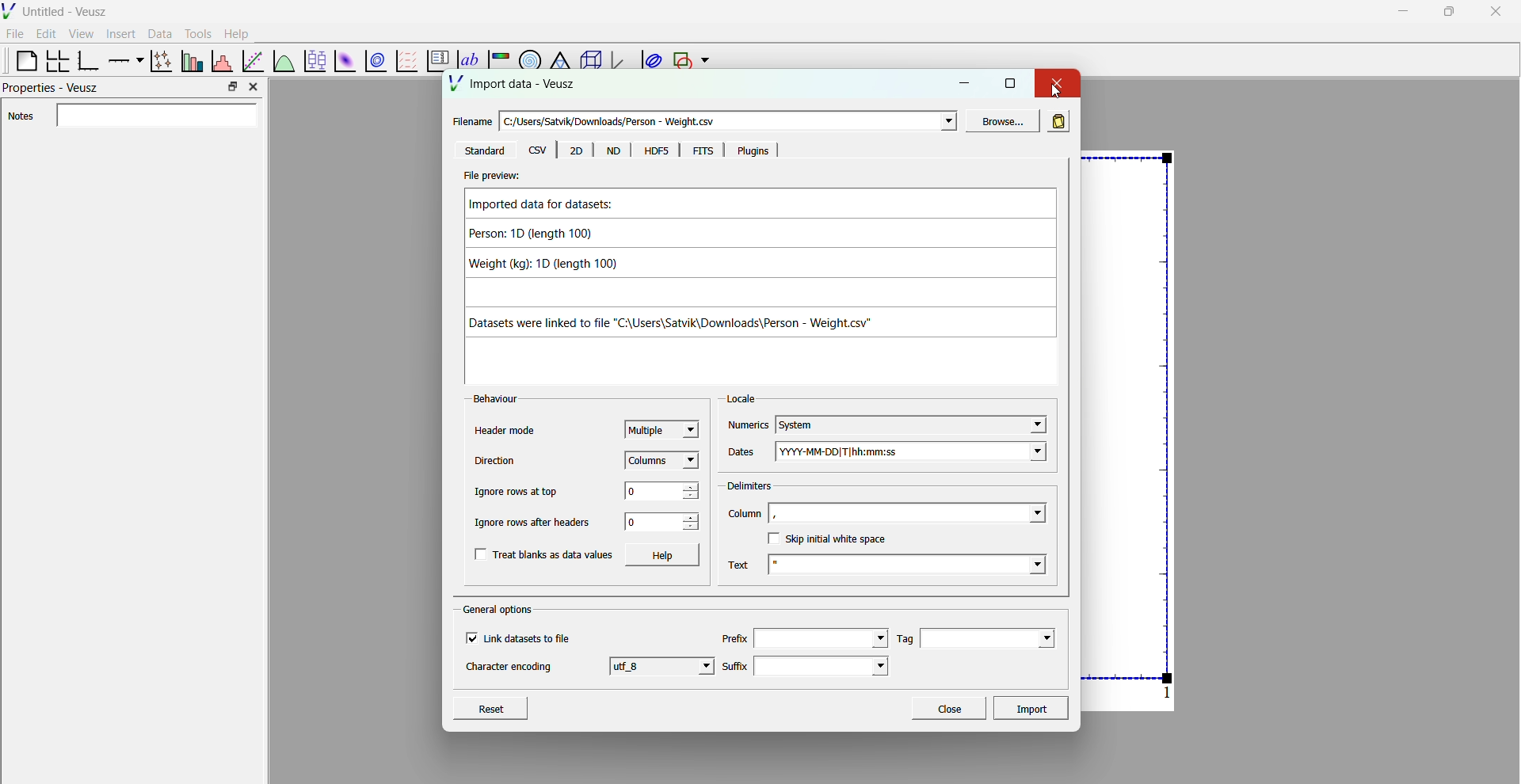 Image resolution: width=1521 pixels, height=784 pixels. Describe the element at coordinates (501, 609) in the screenshot. I see `General options` at that location.